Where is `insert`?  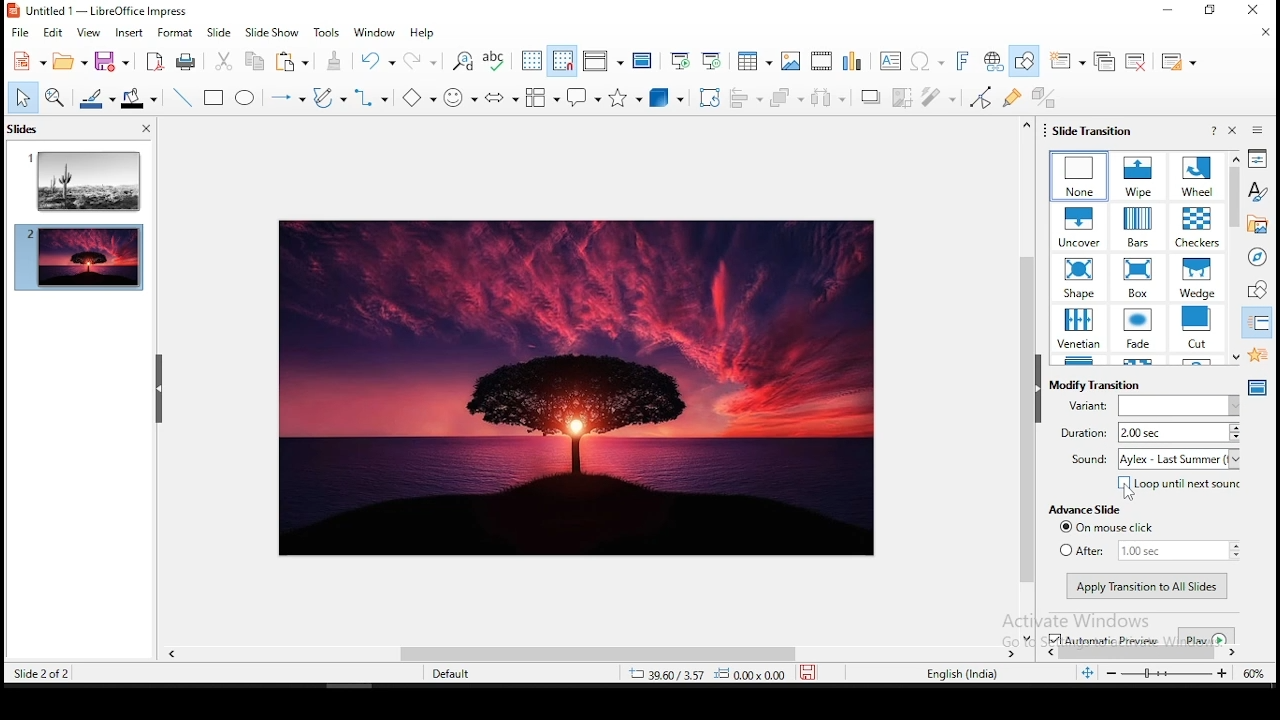
insert is located at coordinates (128, 31).